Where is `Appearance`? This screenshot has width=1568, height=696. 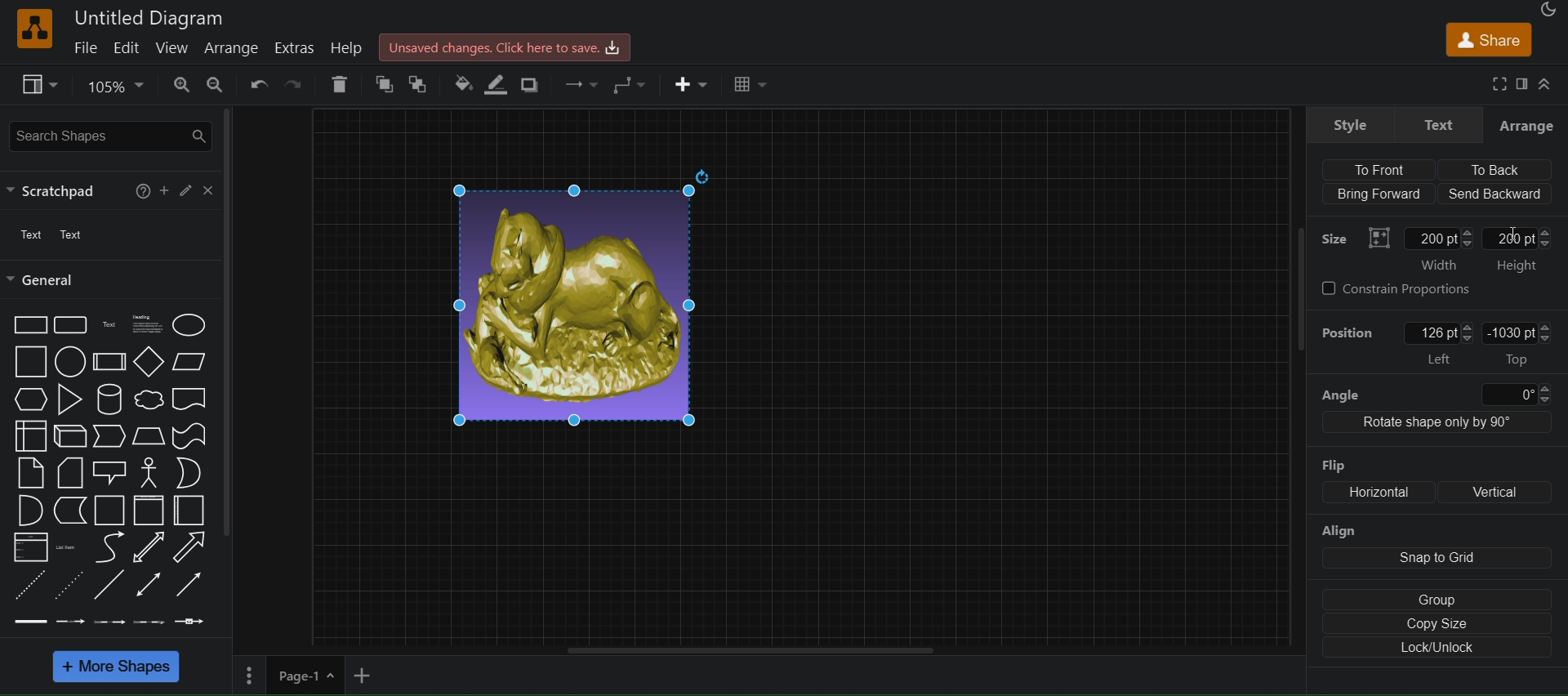 Appearance is located at coordinates (1547, 9).